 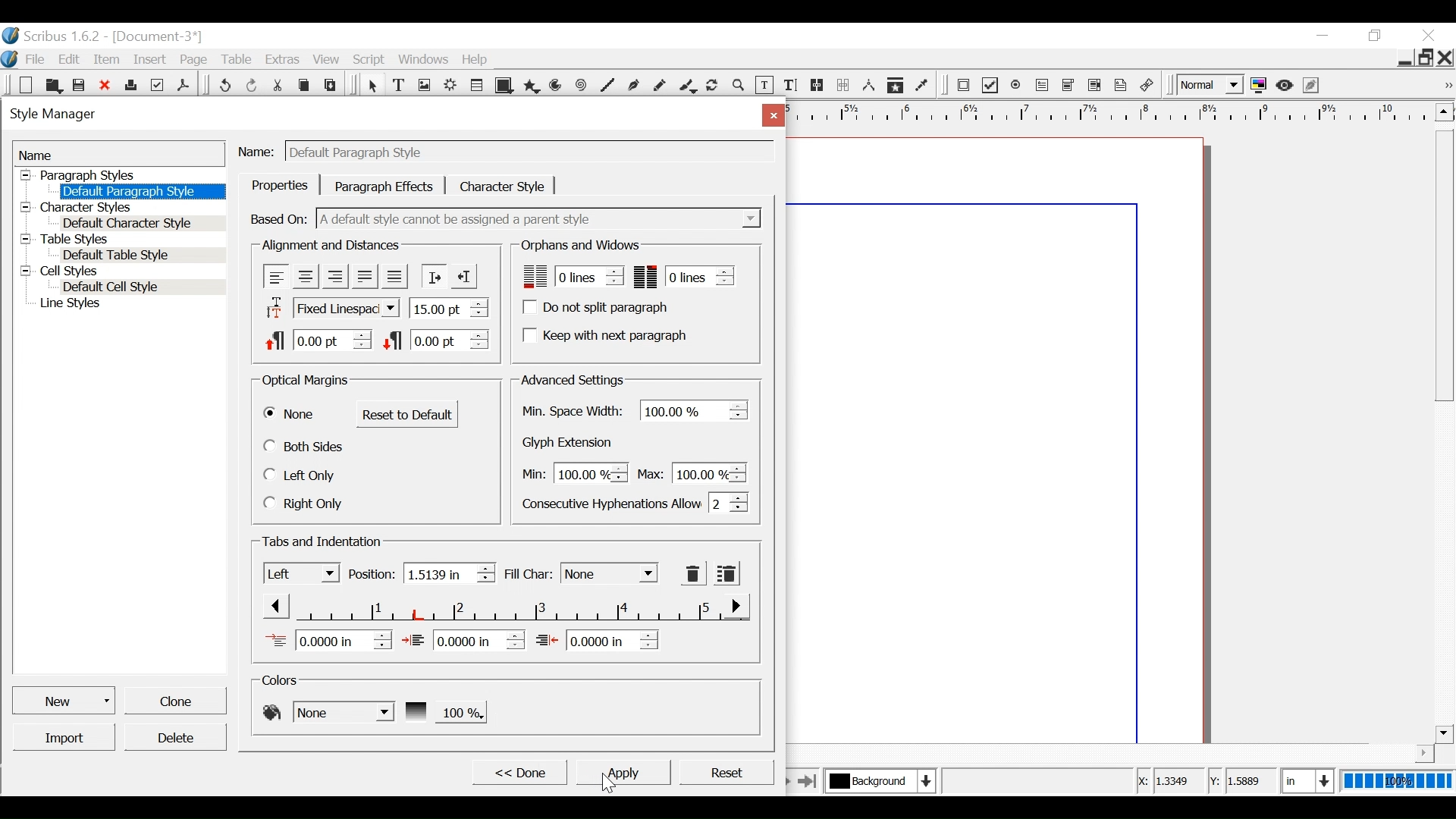 What do you see at coordinates (529, 152) in the screenshot?
I see `Field` at bounding box center [529, 152].